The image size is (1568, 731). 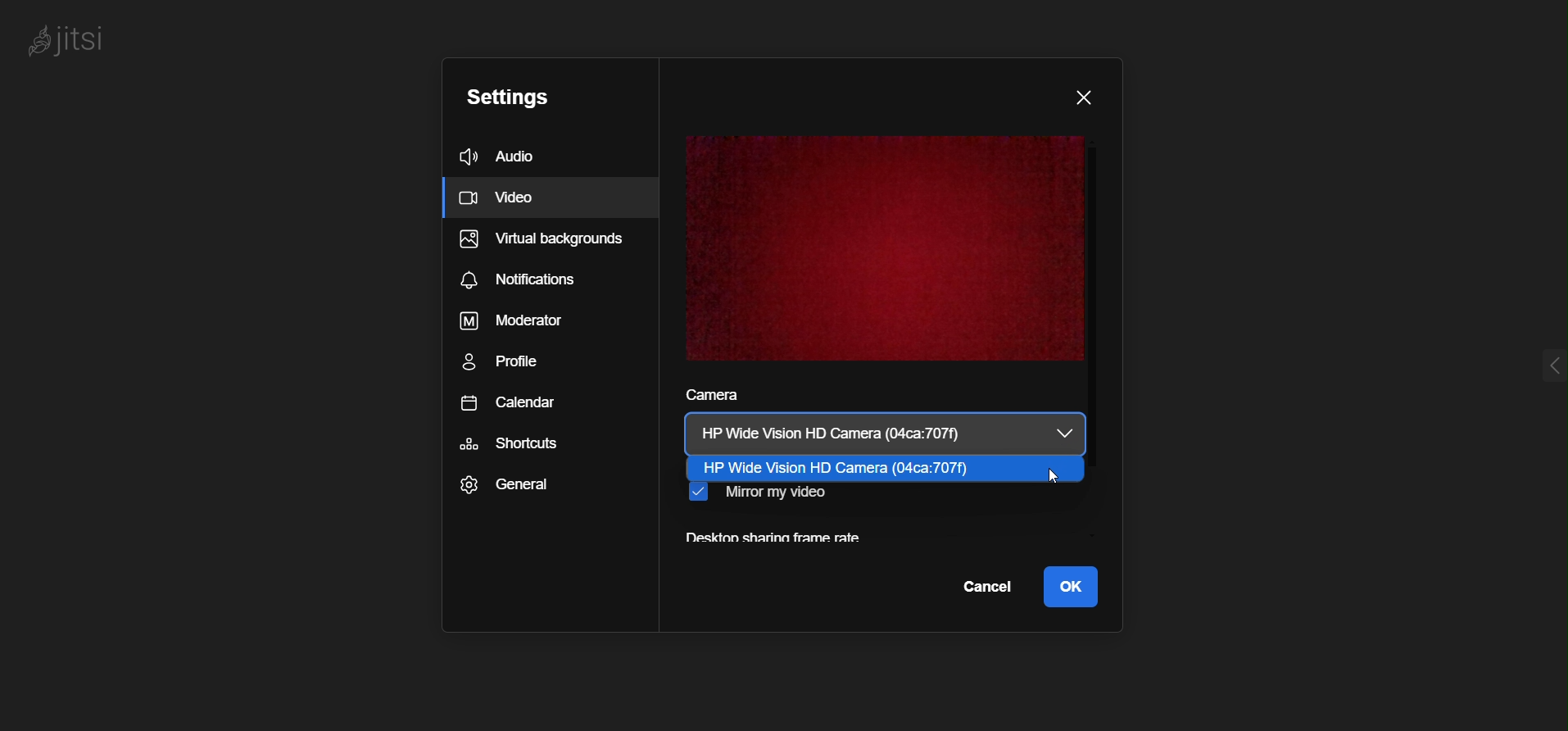 What do you see at coordinates (761, 497) in the screenshot?
I see `mirror my video` at bounding box center [761, 497].